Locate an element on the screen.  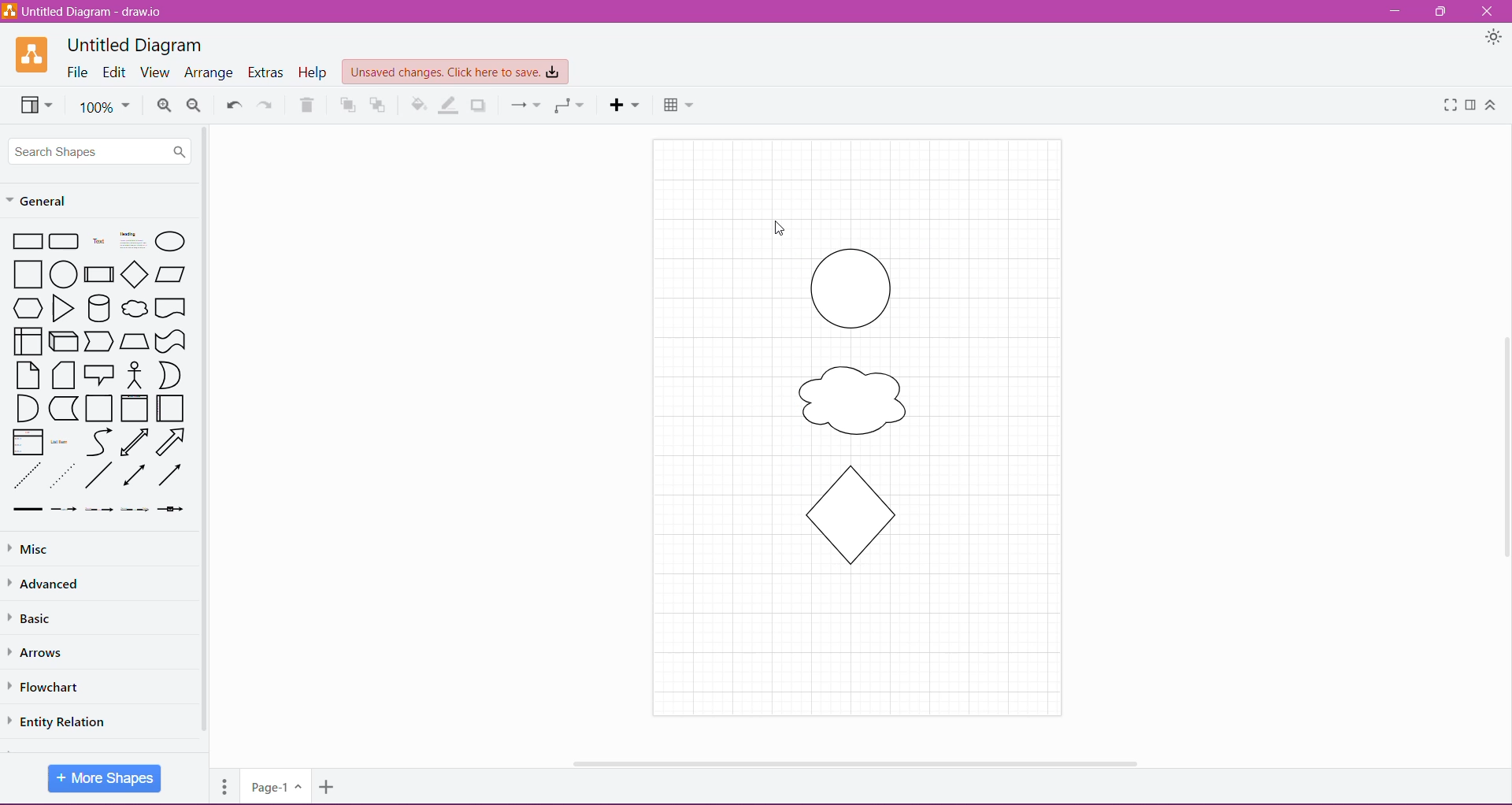
Search Shapes is located at coordinates (101, 150).